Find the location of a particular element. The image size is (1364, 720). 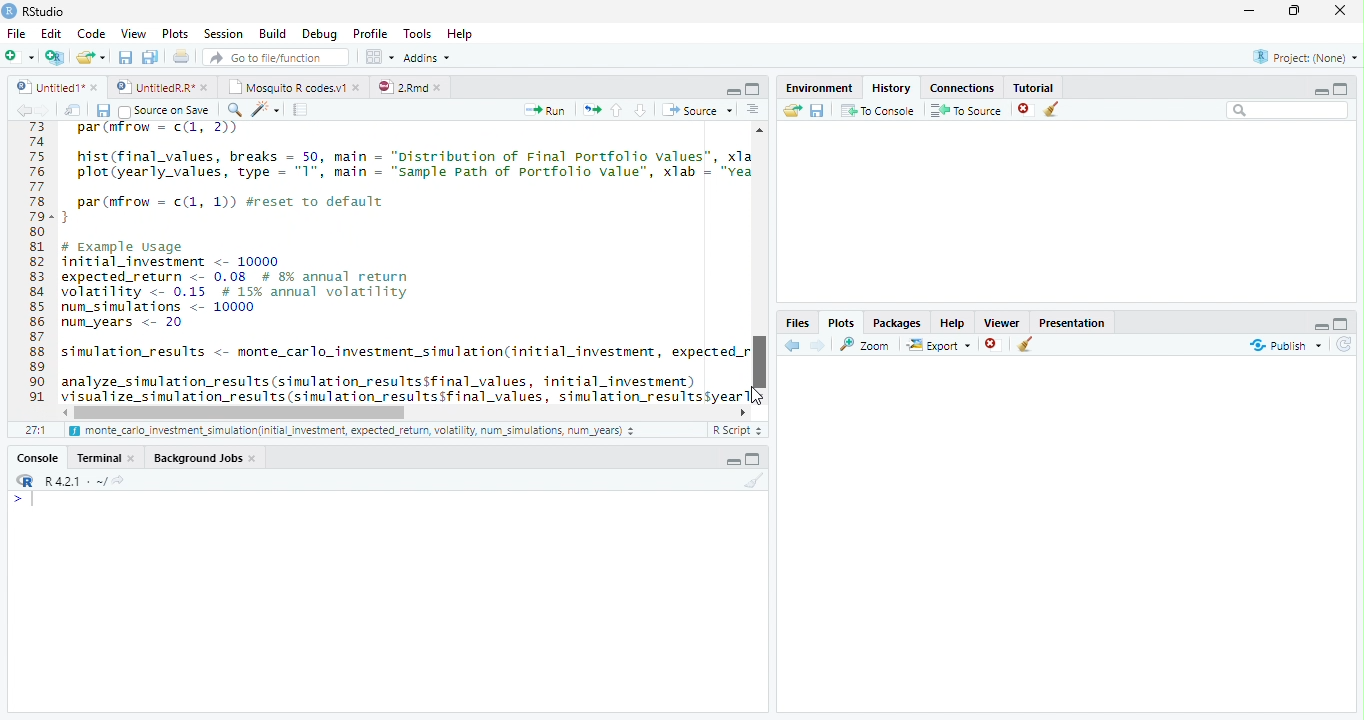

Full Height is located at coordinates (1343, 322).